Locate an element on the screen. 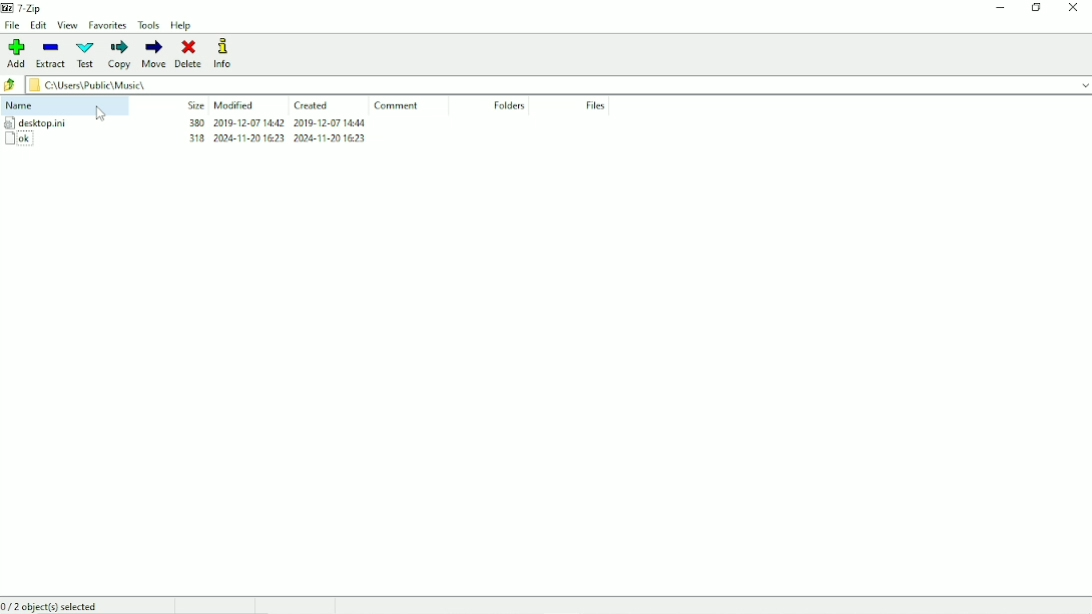 The image size is (1092, 614). Tools is located at coordinates (149, 25).